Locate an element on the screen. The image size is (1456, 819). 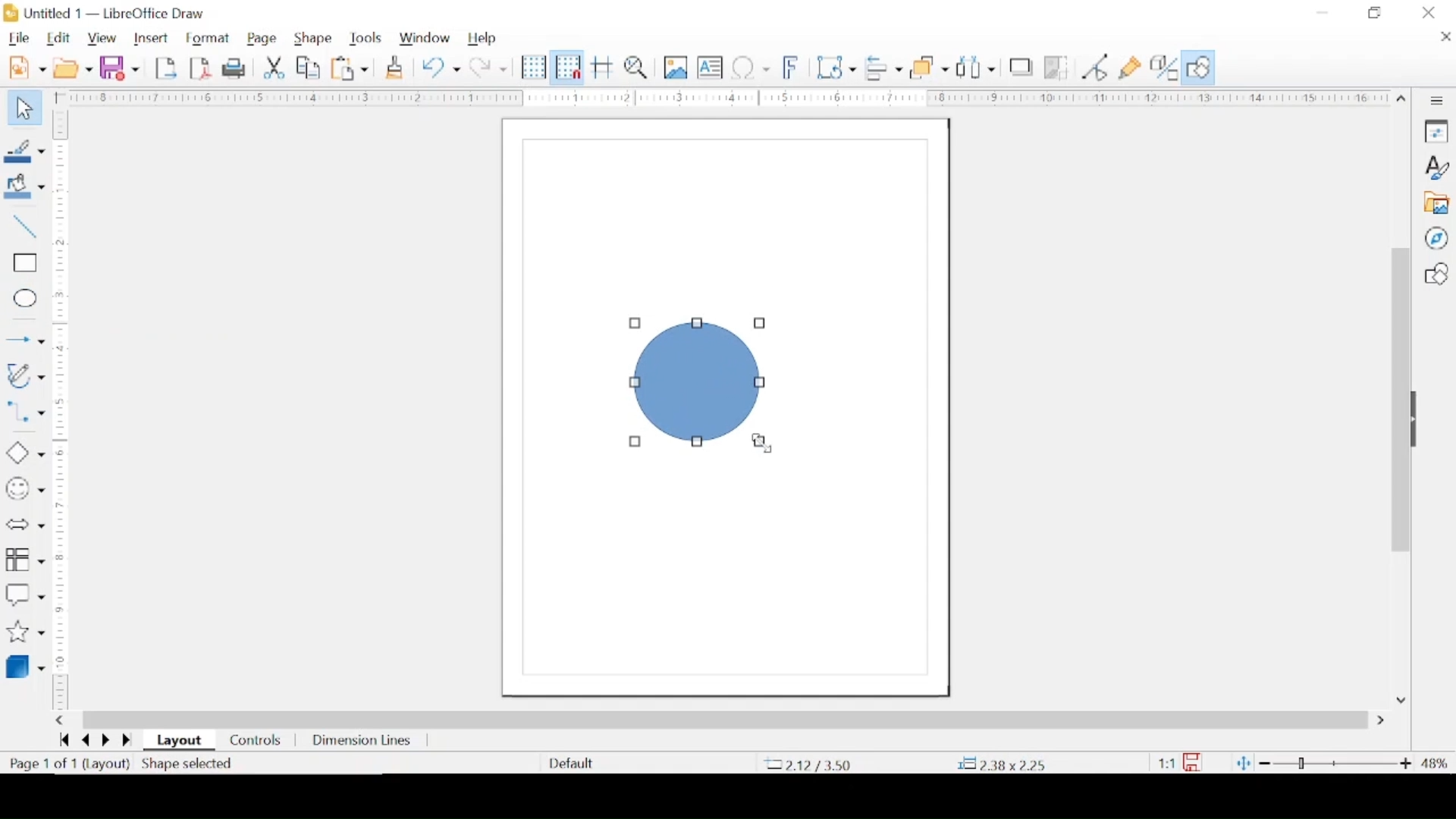
minimize is located at coordinates (1324, 11).